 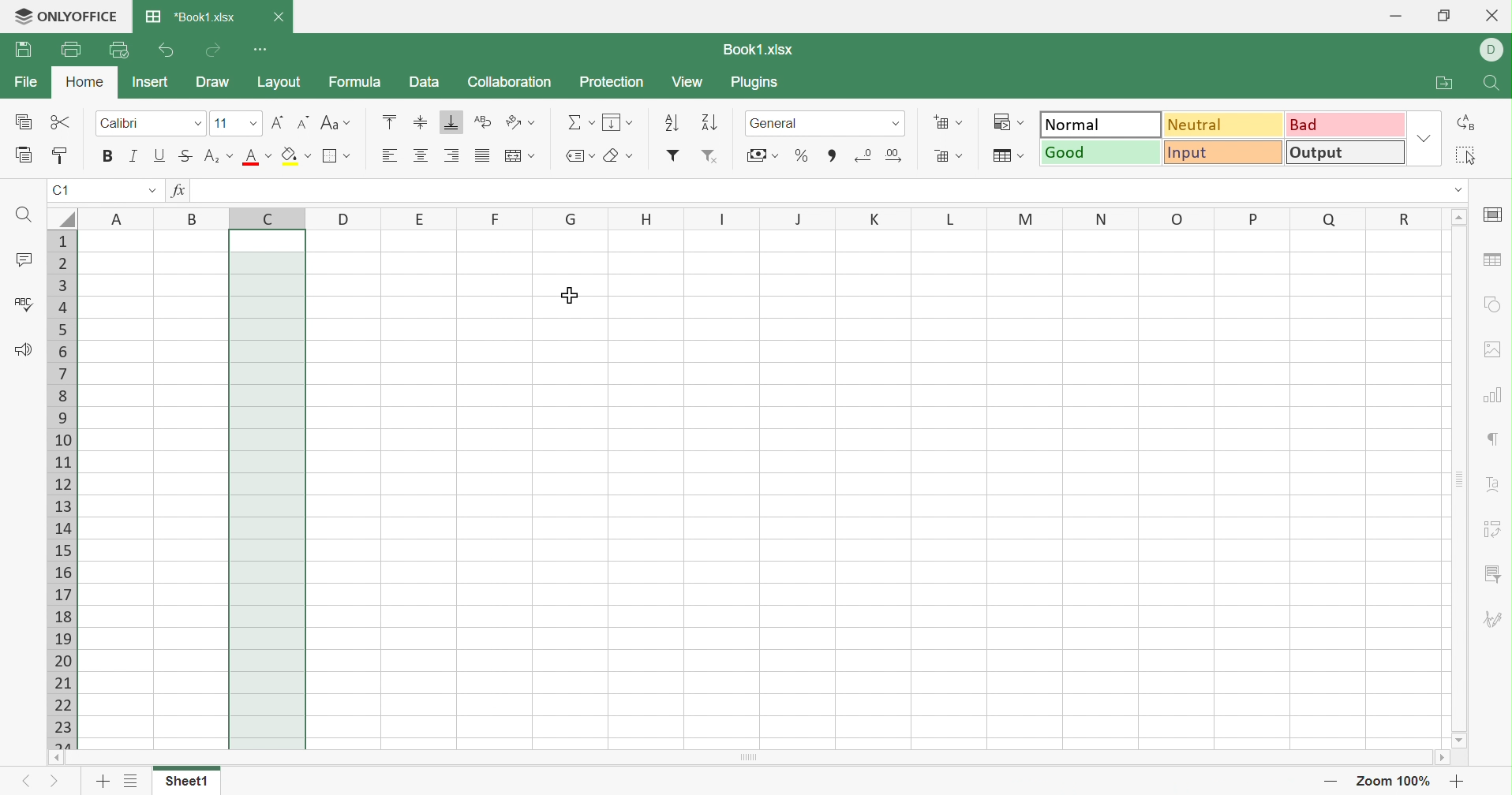 What do you see at coordinates (1491, 50) in the screenshot?
I see `DELL` at bounding box center [1491, 50].